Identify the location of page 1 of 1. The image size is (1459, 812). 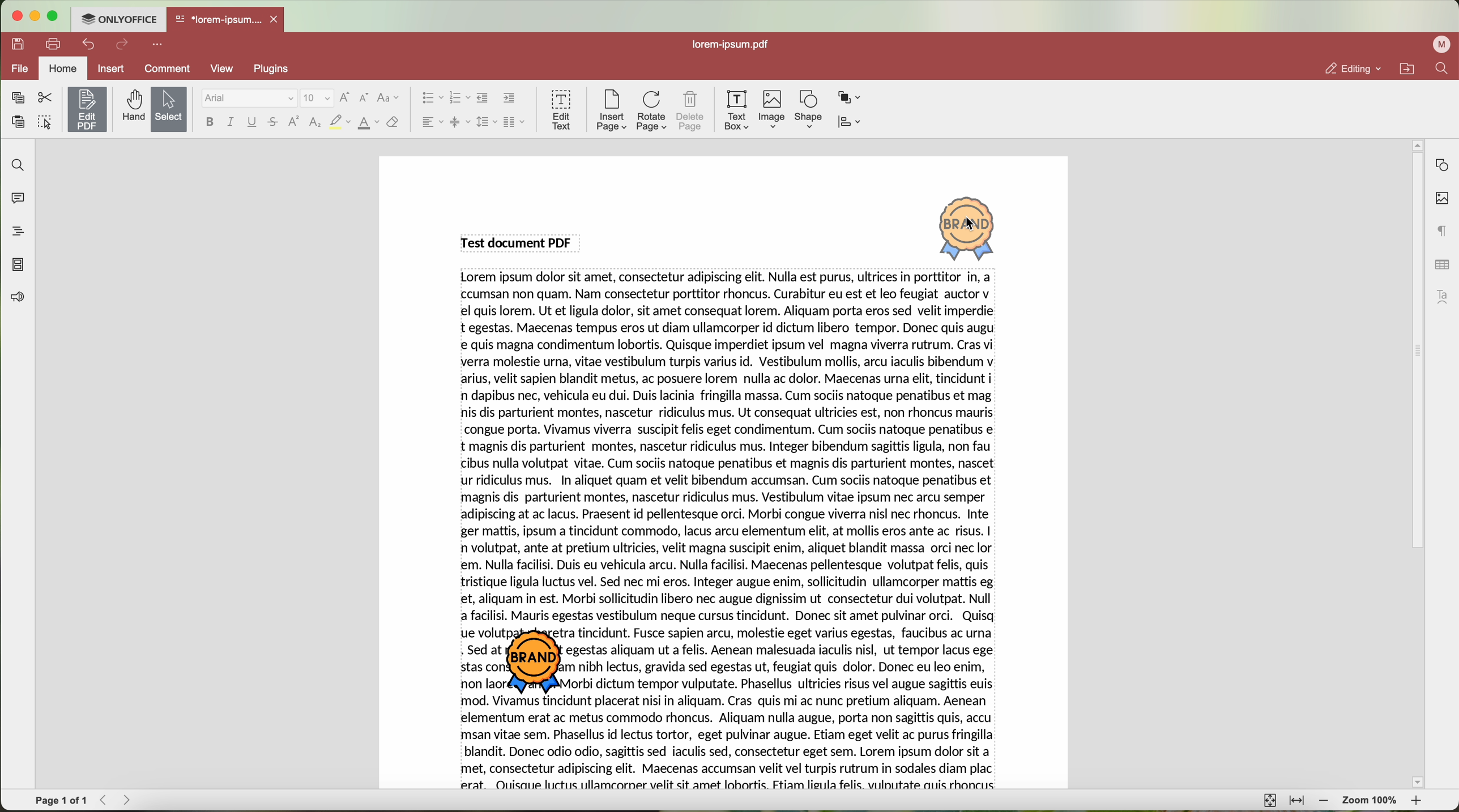
(61, 801).